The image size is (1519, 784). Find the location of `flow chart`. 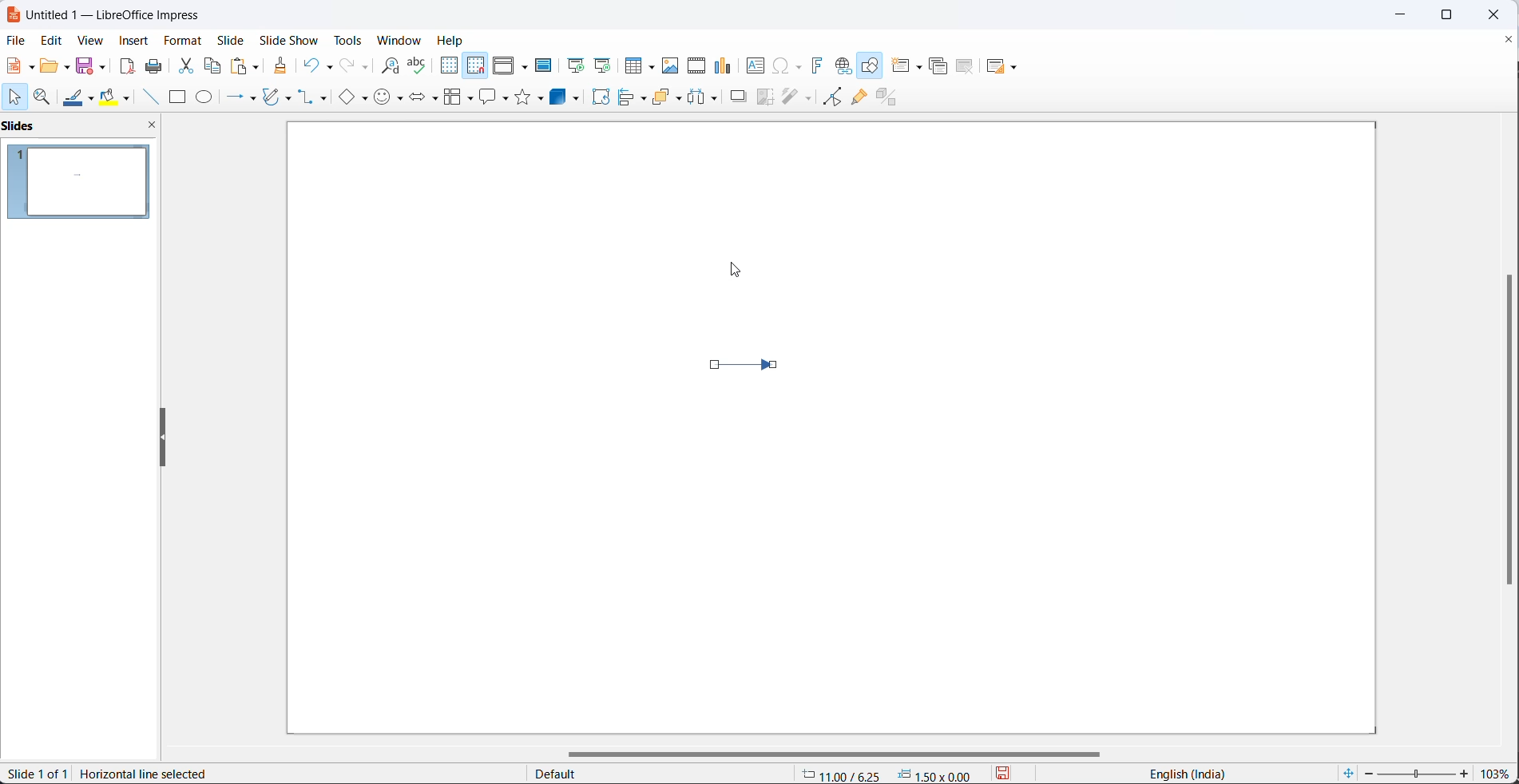

flow chart is located at coordinates (455, 97).